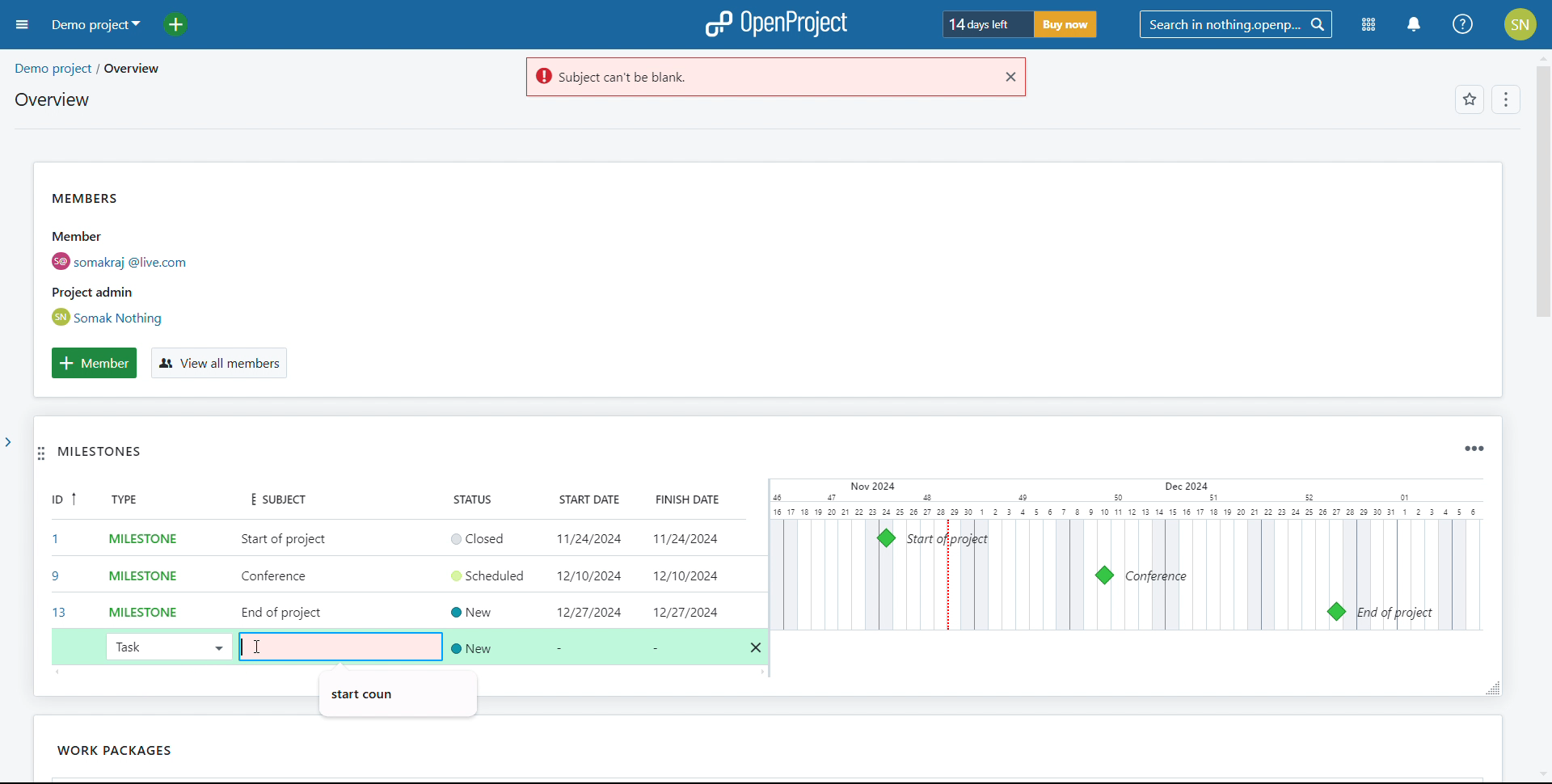 The width and height of the screenshot is (1552, 784). What do you see at coordinates (756, 78) in the screenshot?
I see `warning` at bounding box center [756, 78].